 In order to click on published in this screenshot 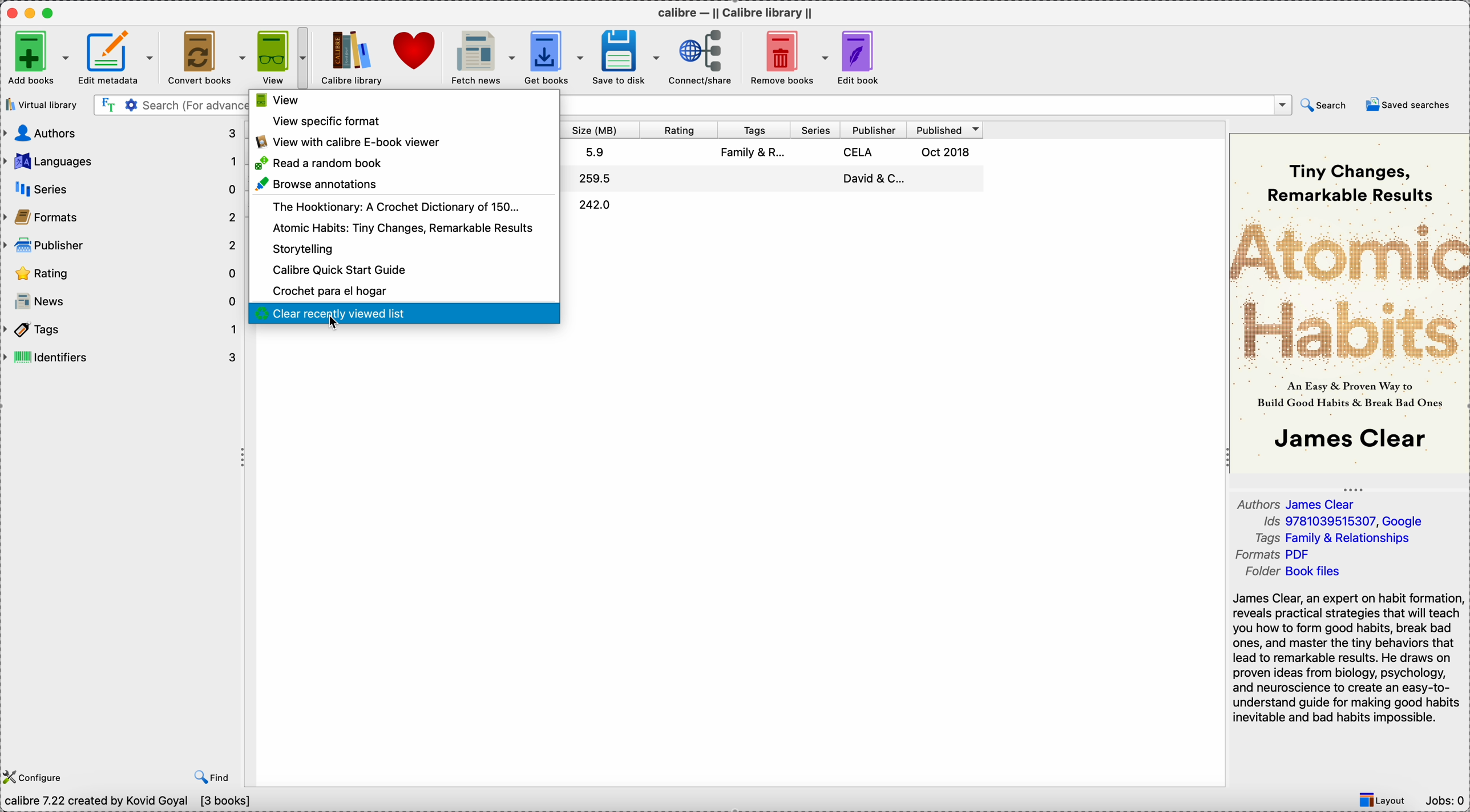, I will do `click(946, 128)`.